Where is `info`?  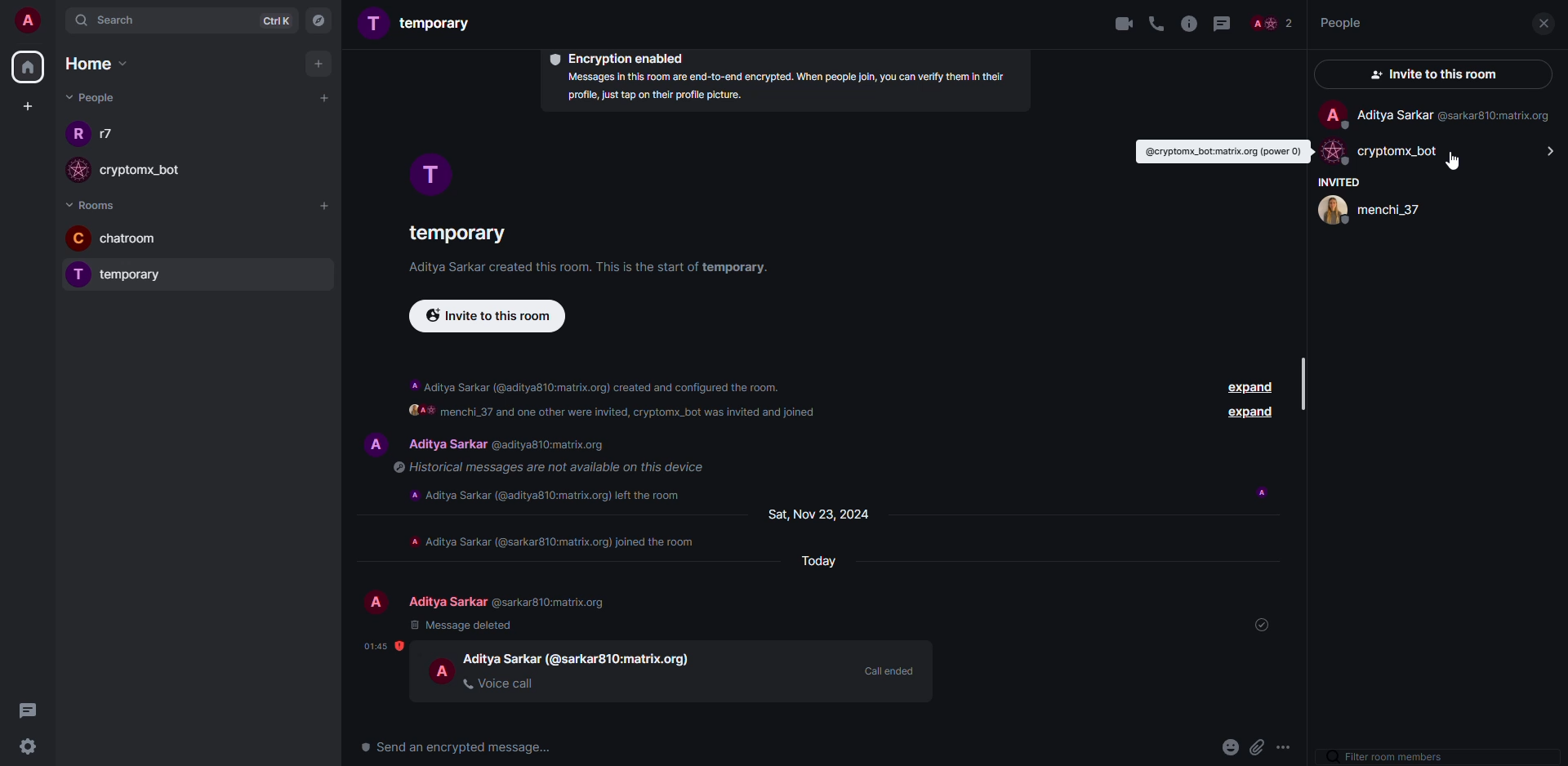
info is located at coordinates (596, 383).